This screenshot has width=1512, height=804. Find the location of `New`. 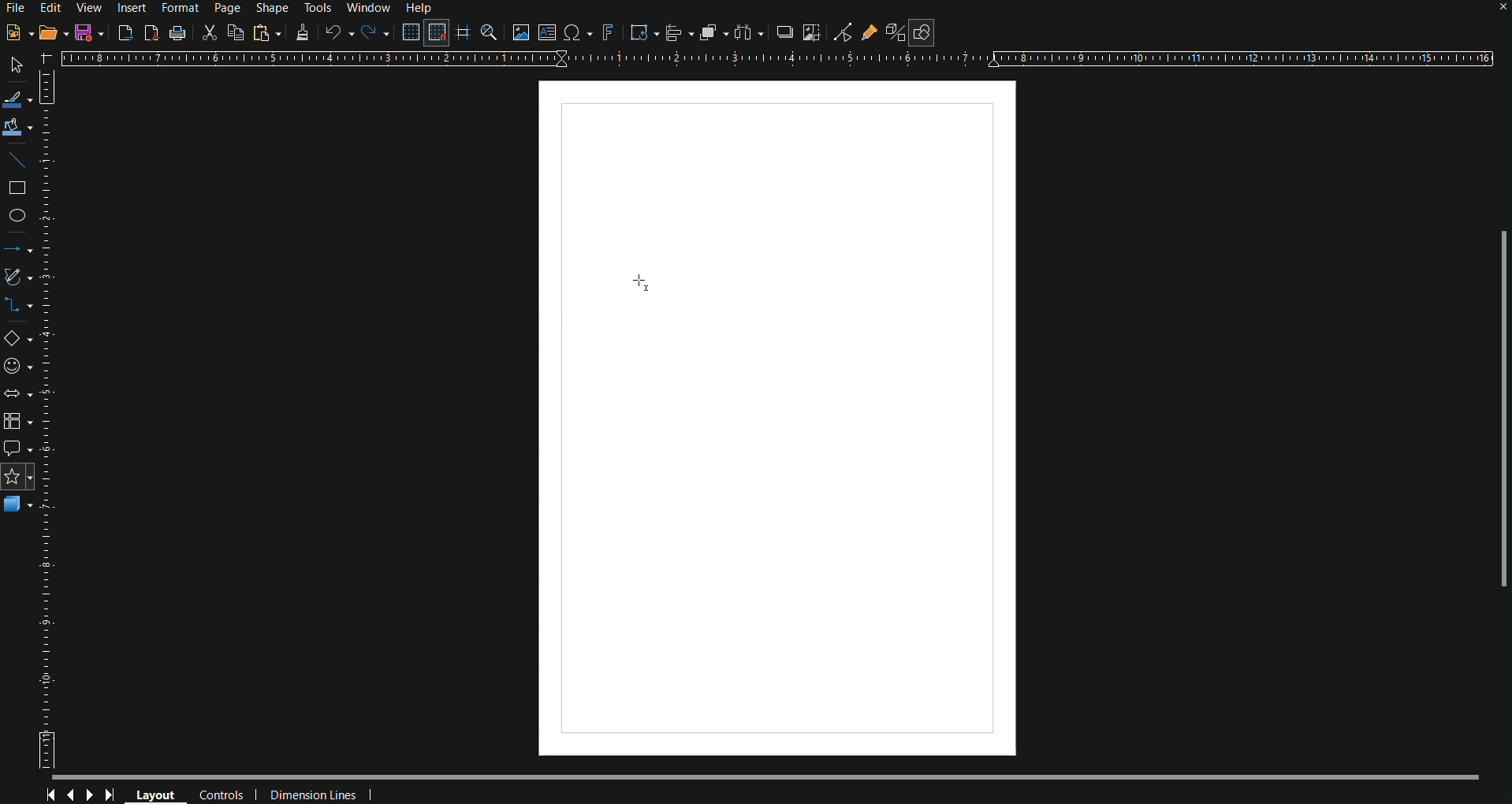

New is located at coordinates (19, 33).